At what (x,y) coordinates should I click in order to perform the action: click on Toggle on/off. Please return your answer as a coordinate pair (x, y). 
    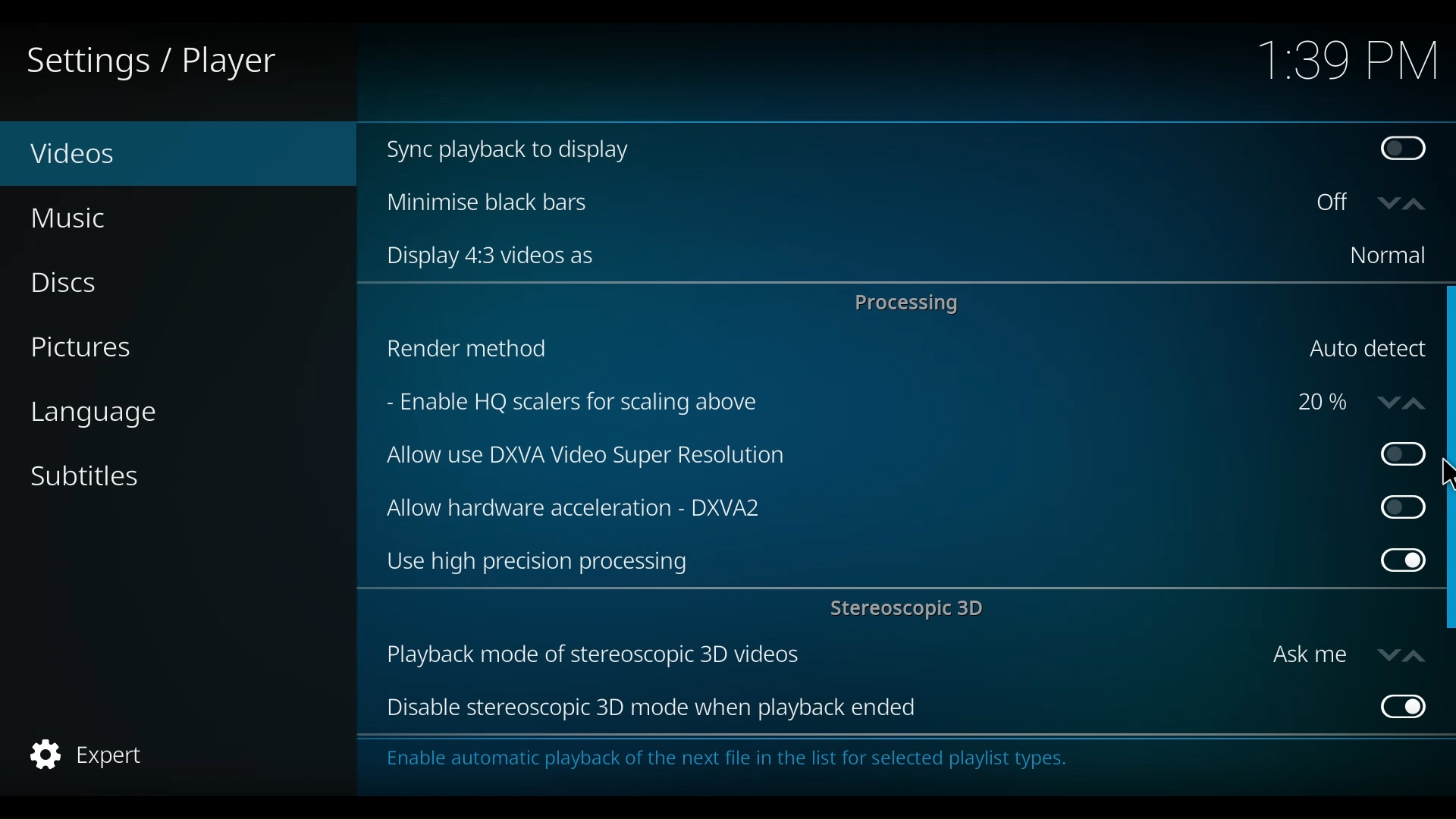
    Looking at the image, I should click on (1394, 454).